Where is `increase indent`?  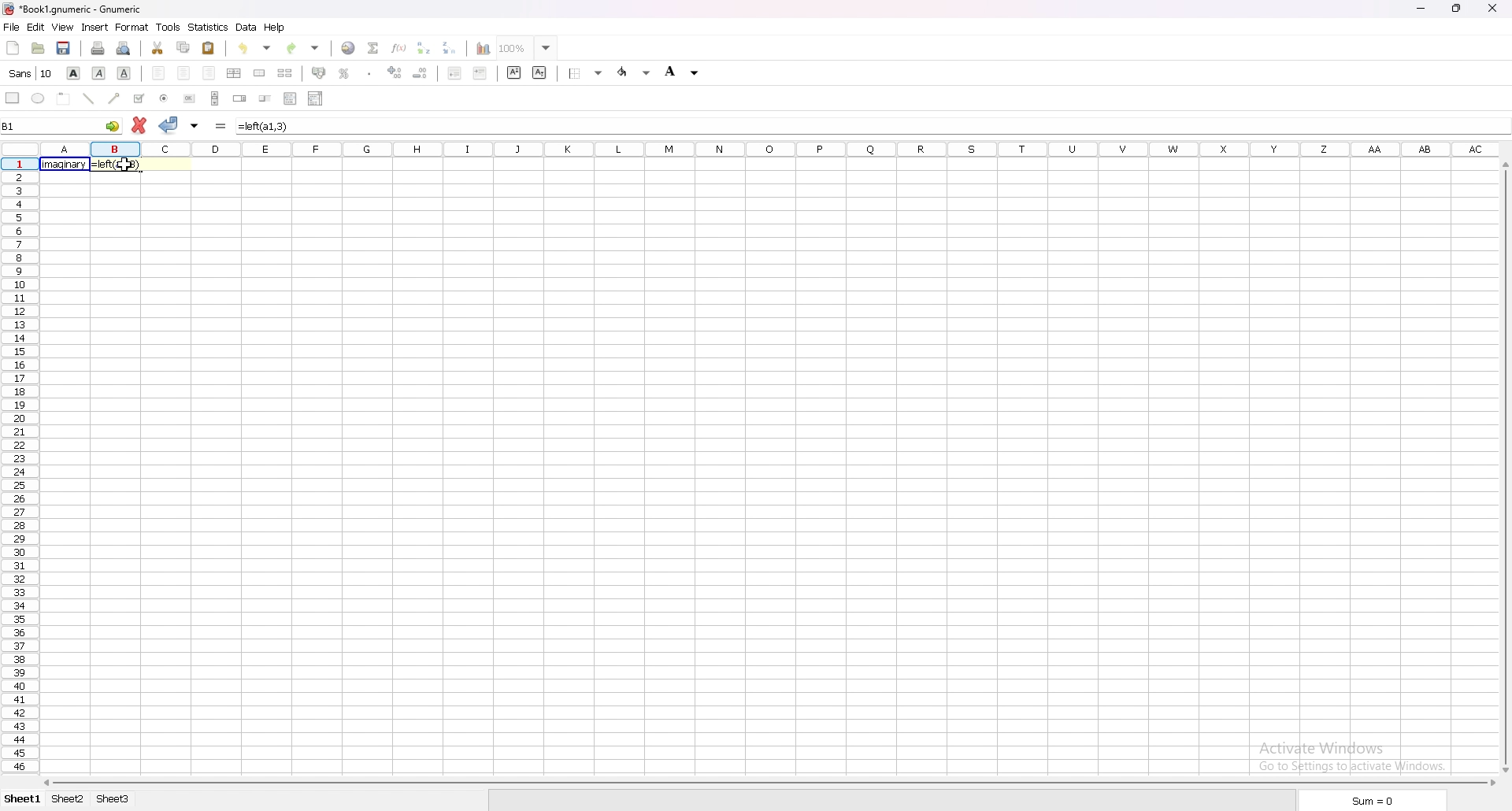
increase indent is located at coordinates (480, 73).